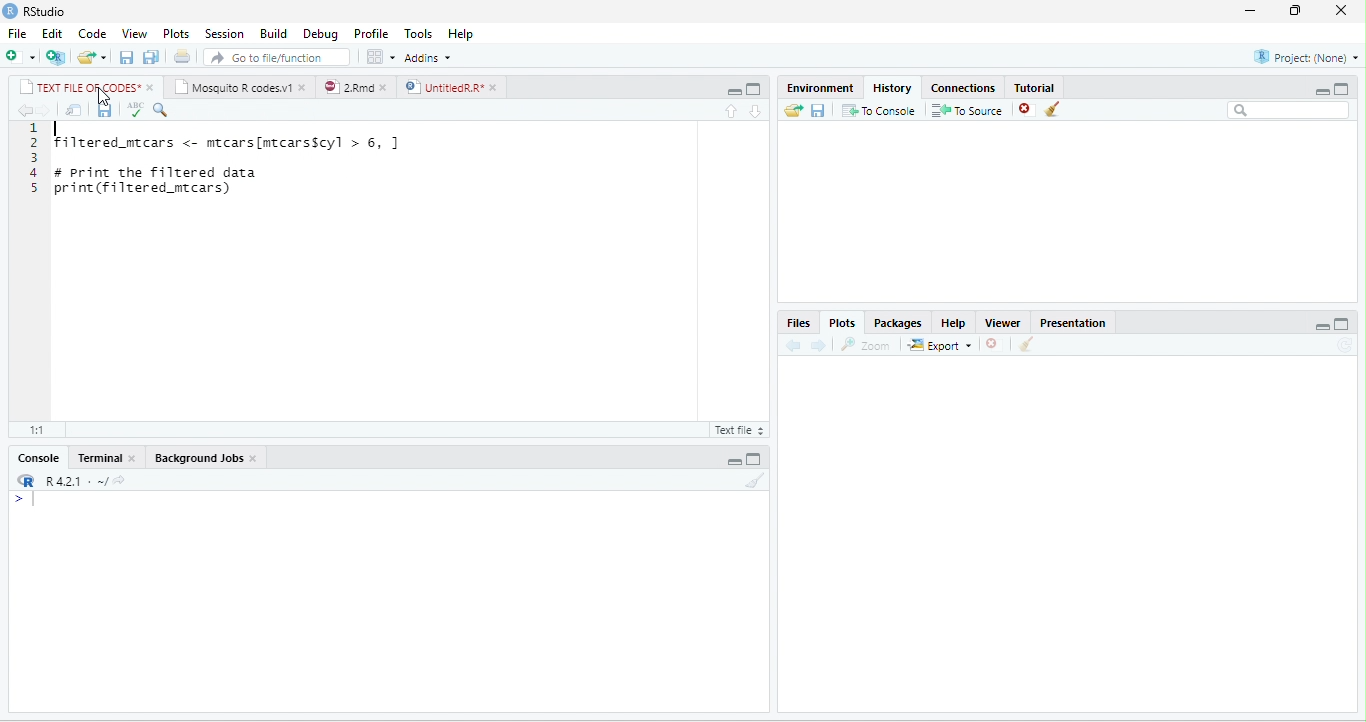 The height and width of the screenshot is (722, 1366). What do you see at coordinates (150, 57) in the screenshot?
I see `save all` at bounding box center [150, 57].